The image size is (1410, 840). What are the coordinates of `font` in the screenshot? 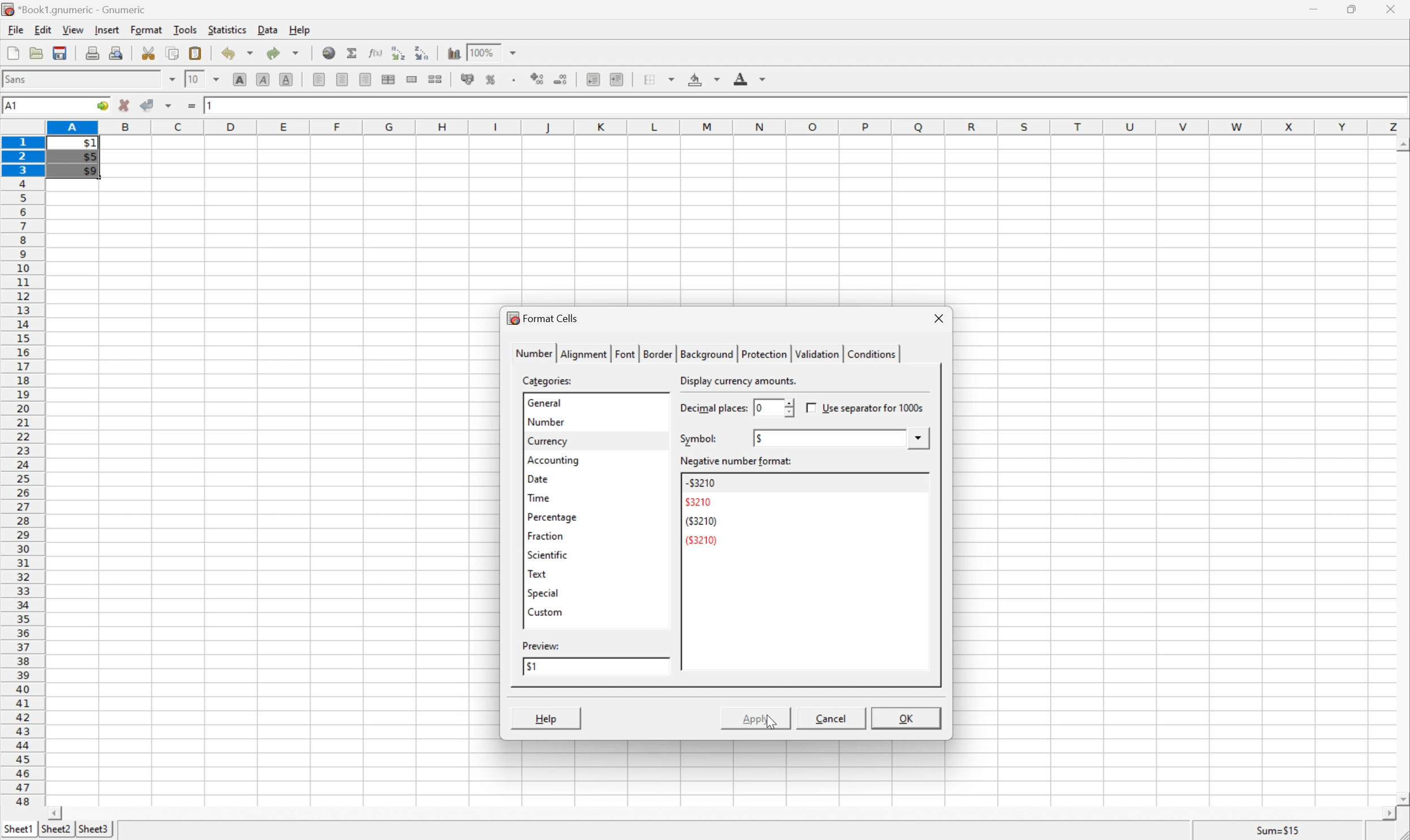 It's located at (22, 78).